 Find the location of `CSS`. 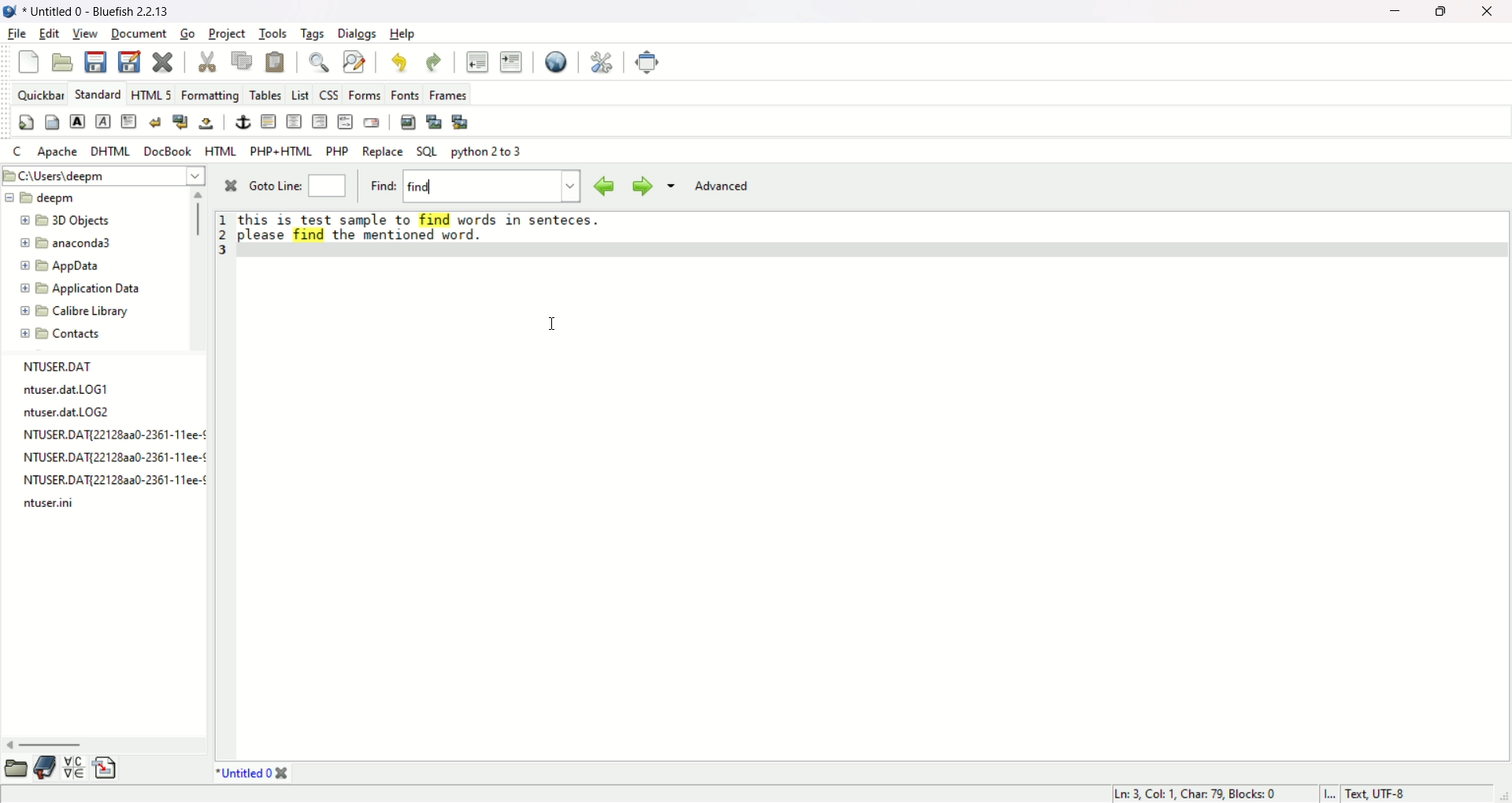

CSS is located at coordinates (327, 94).